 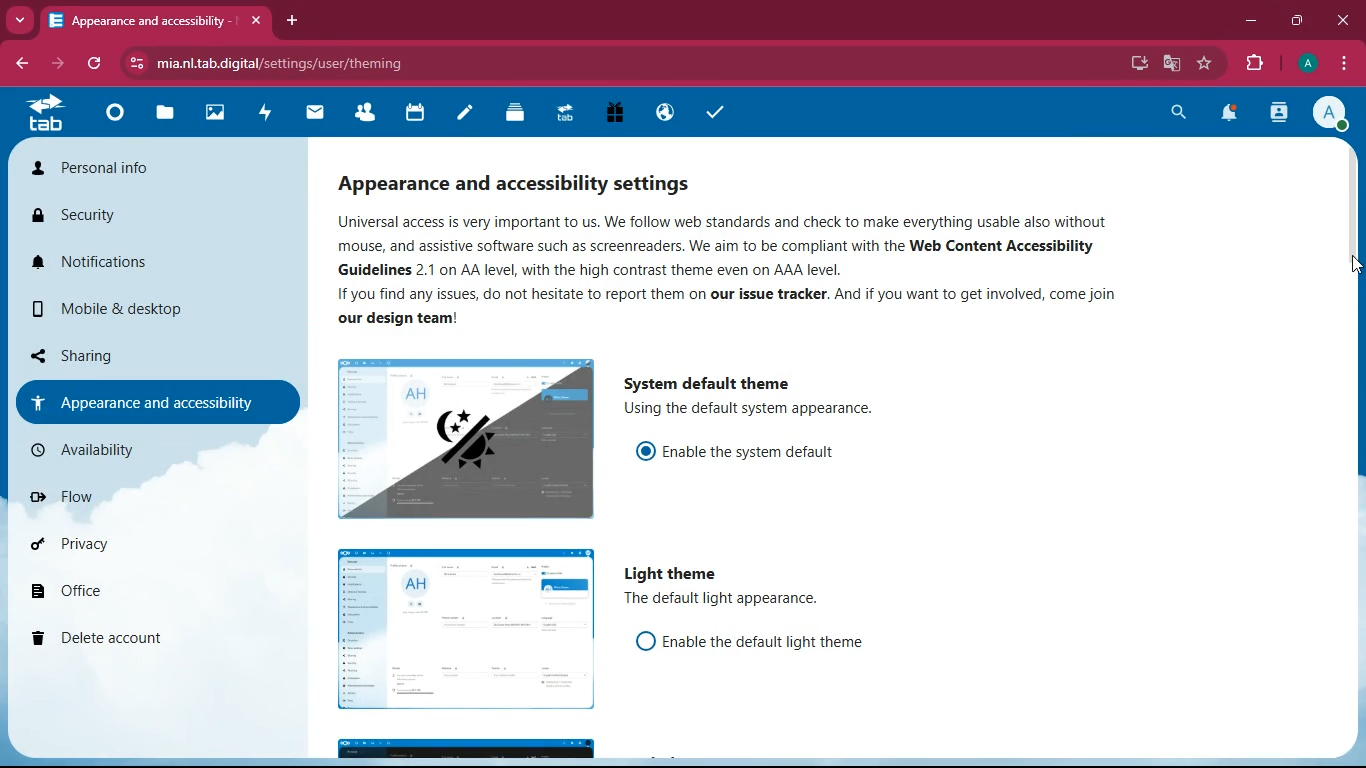 I want to click on scroll bar, so click(x=1351, y=335).